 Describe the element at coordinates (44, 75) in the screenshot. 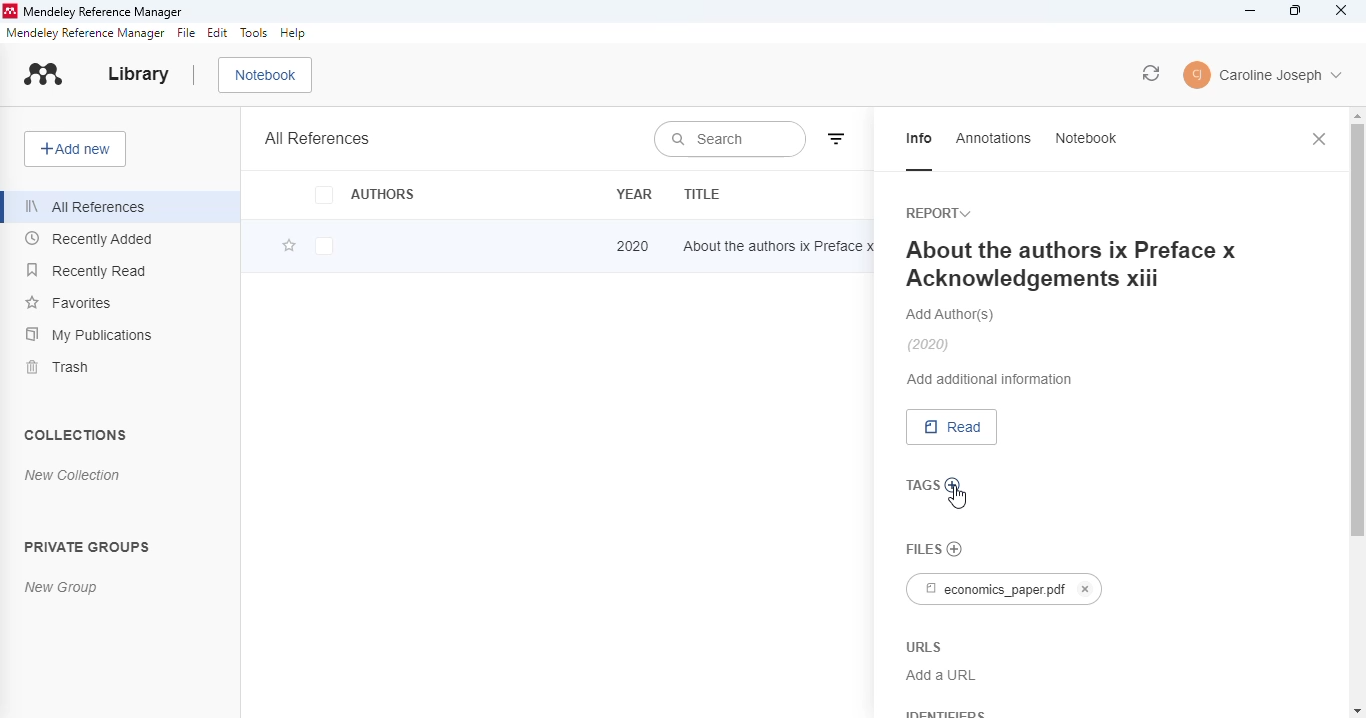

I see `logo` at that location.